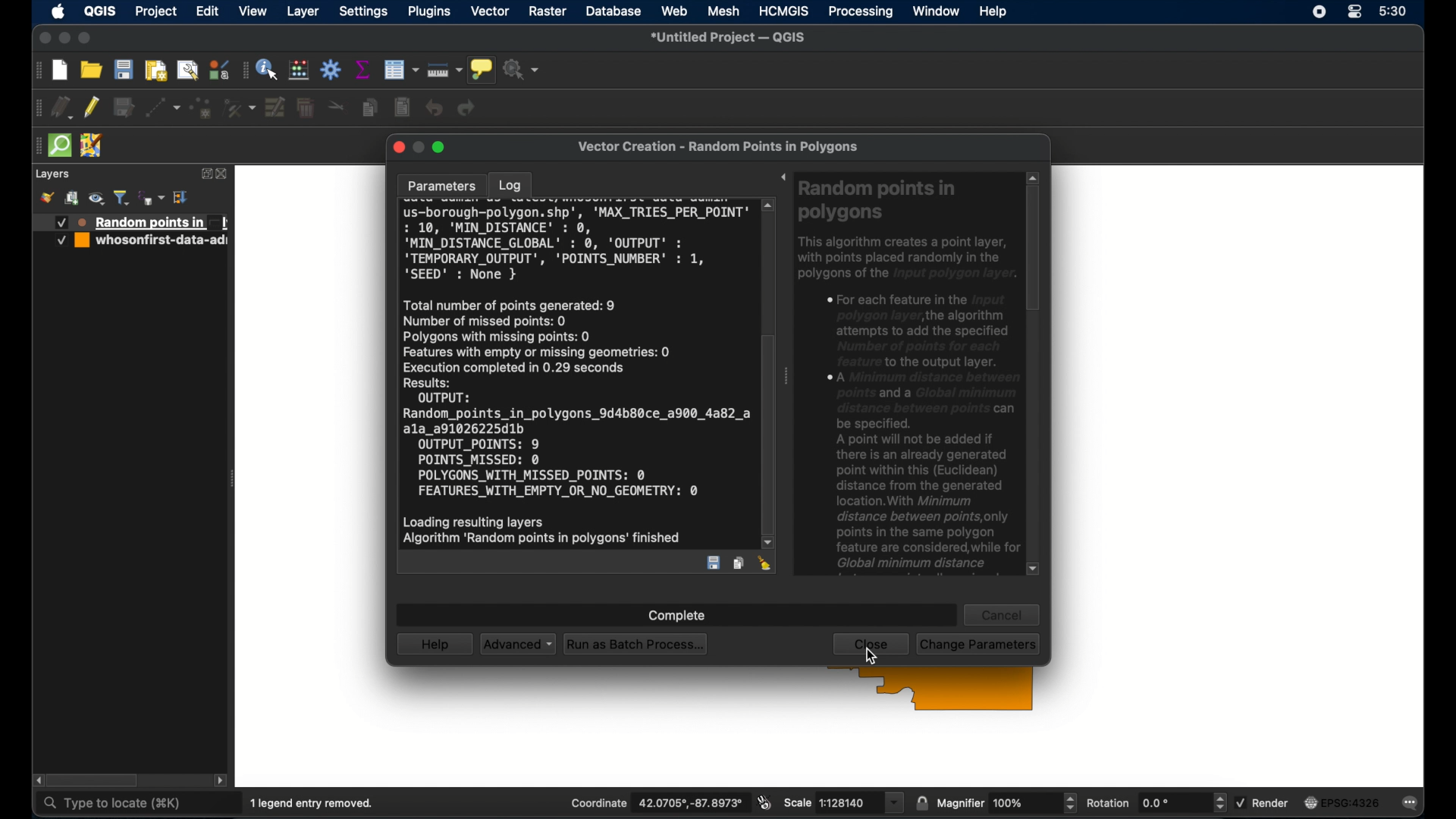 This screenshot has height=819, width=1456. I want to click on redo, so click(466, 109).